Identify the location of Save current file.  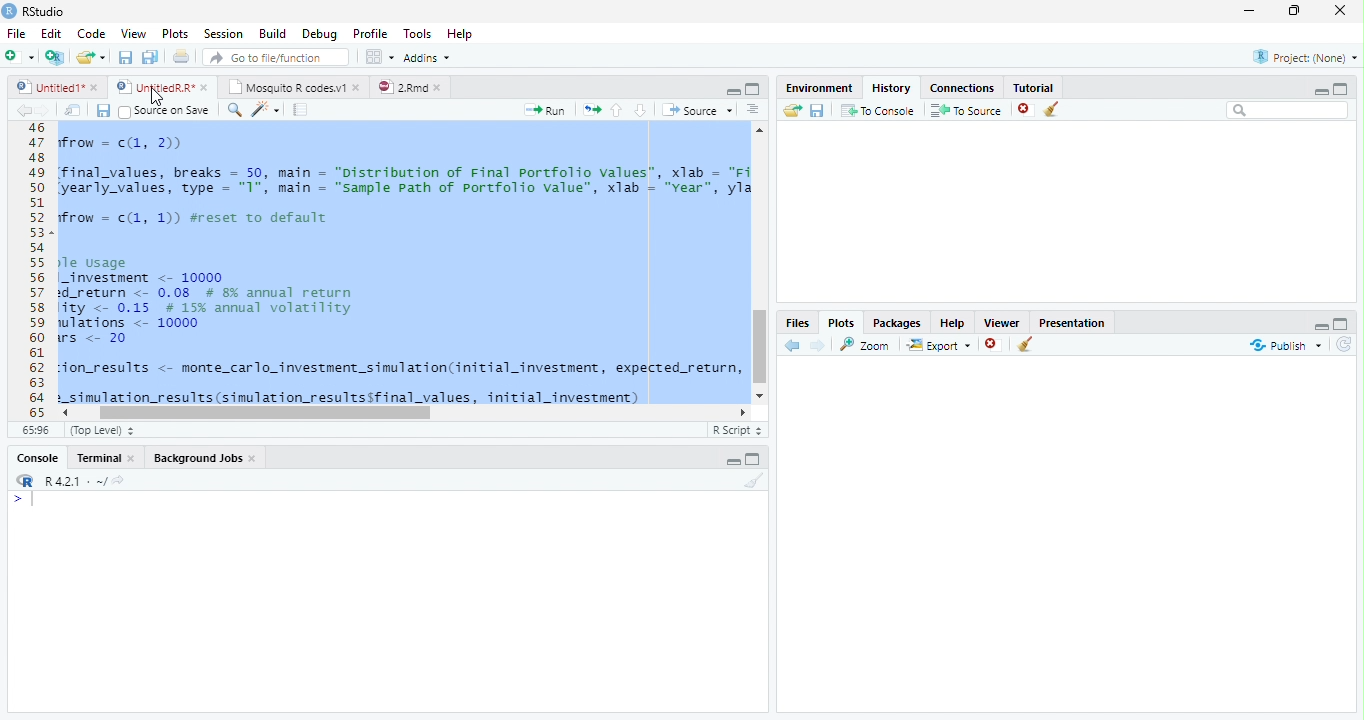
(124, 57).